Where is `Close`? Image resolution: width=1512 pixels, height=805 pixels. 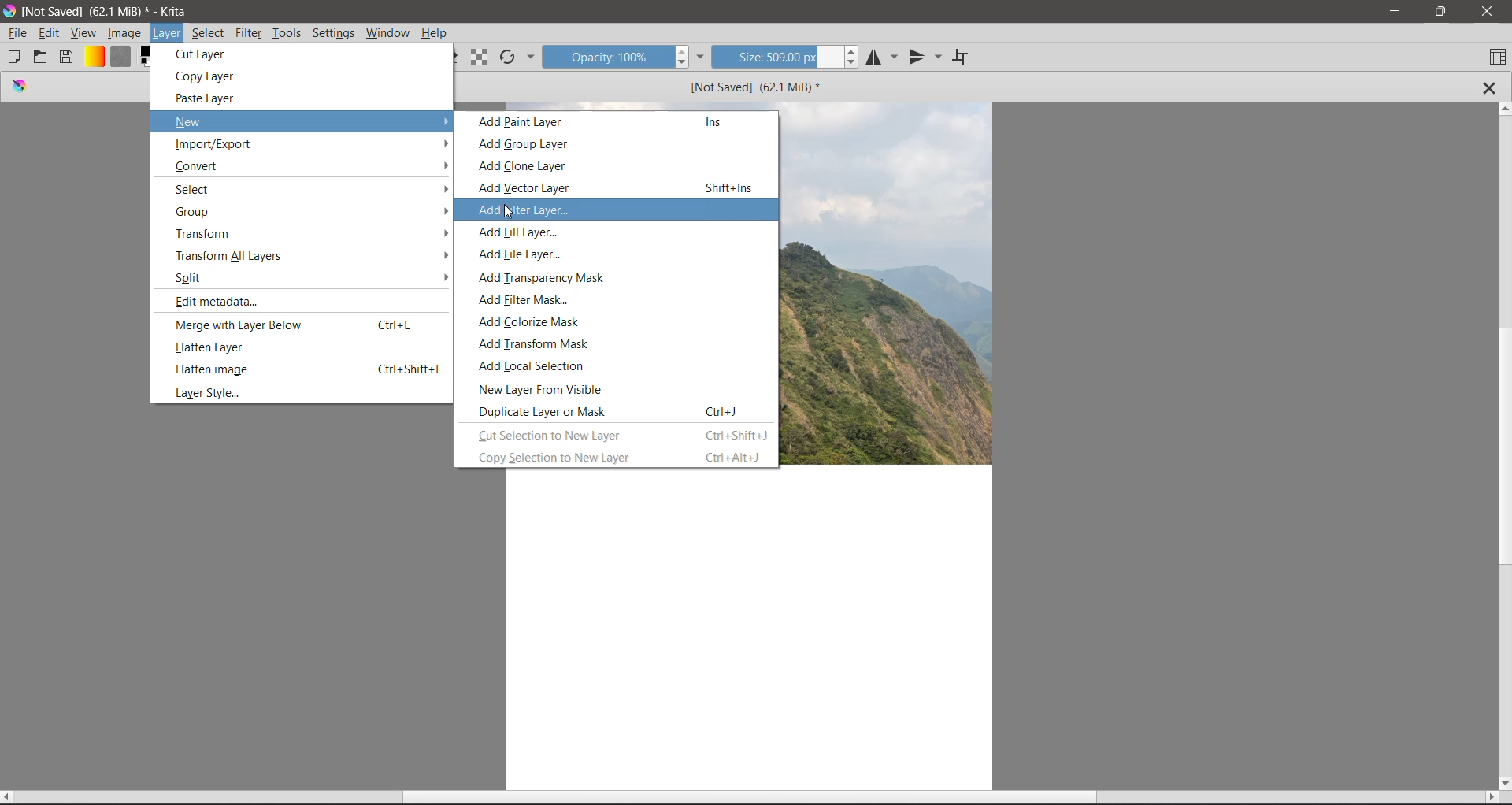
Close is located at coordinates (1489, 12).